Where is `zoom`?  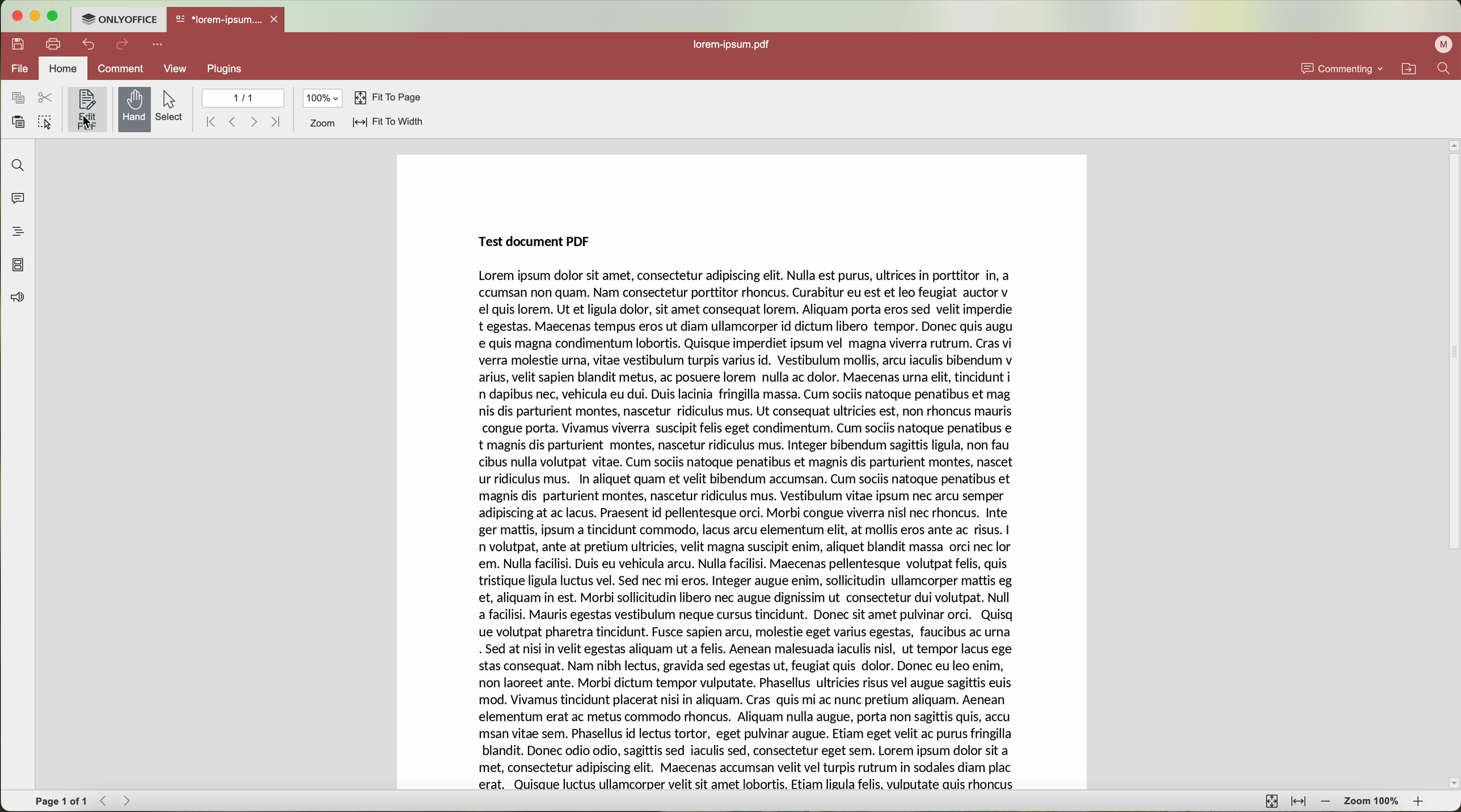
zoom is located at coordinates (323, 123).